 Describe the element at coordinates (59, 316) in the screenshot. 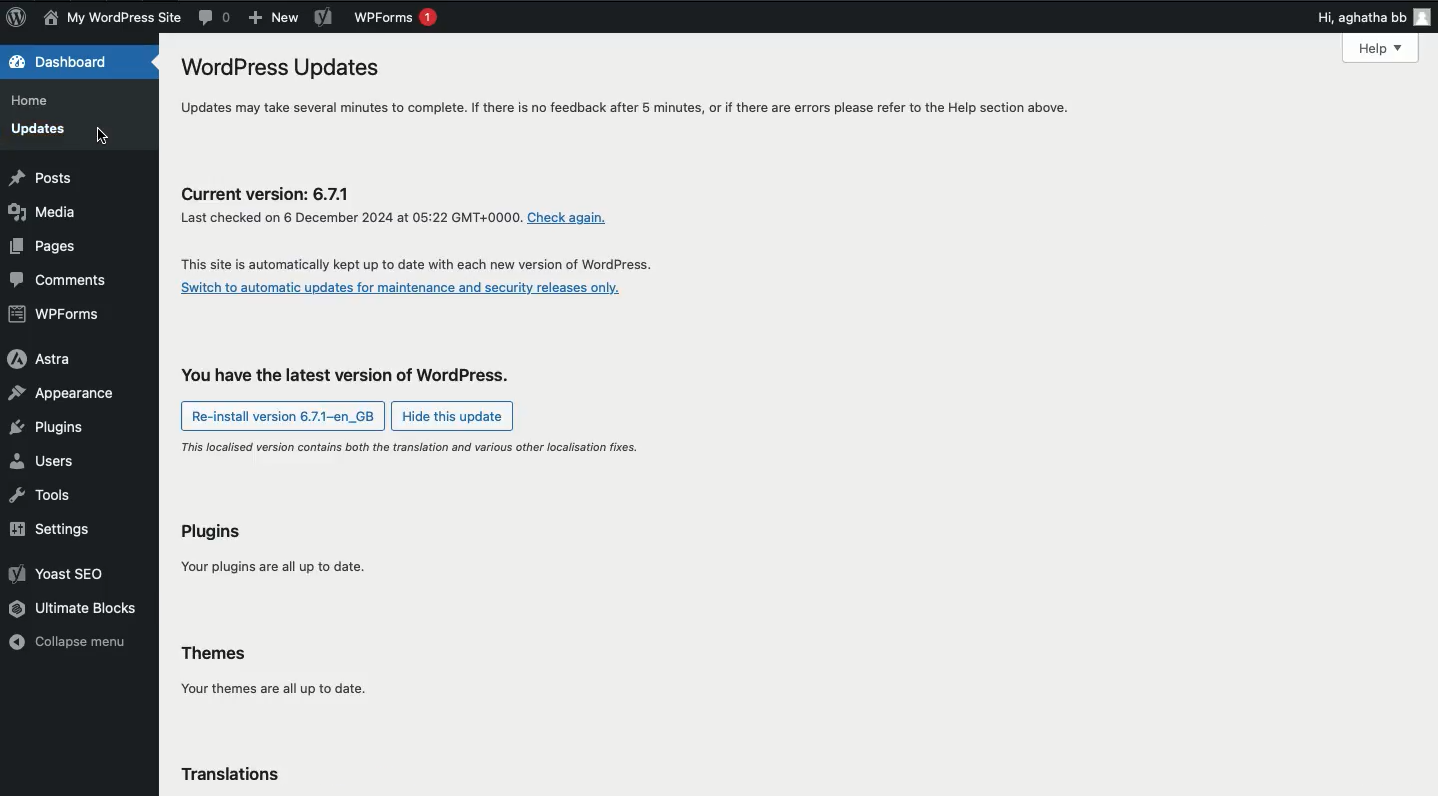

I see `WPForms` at that location.